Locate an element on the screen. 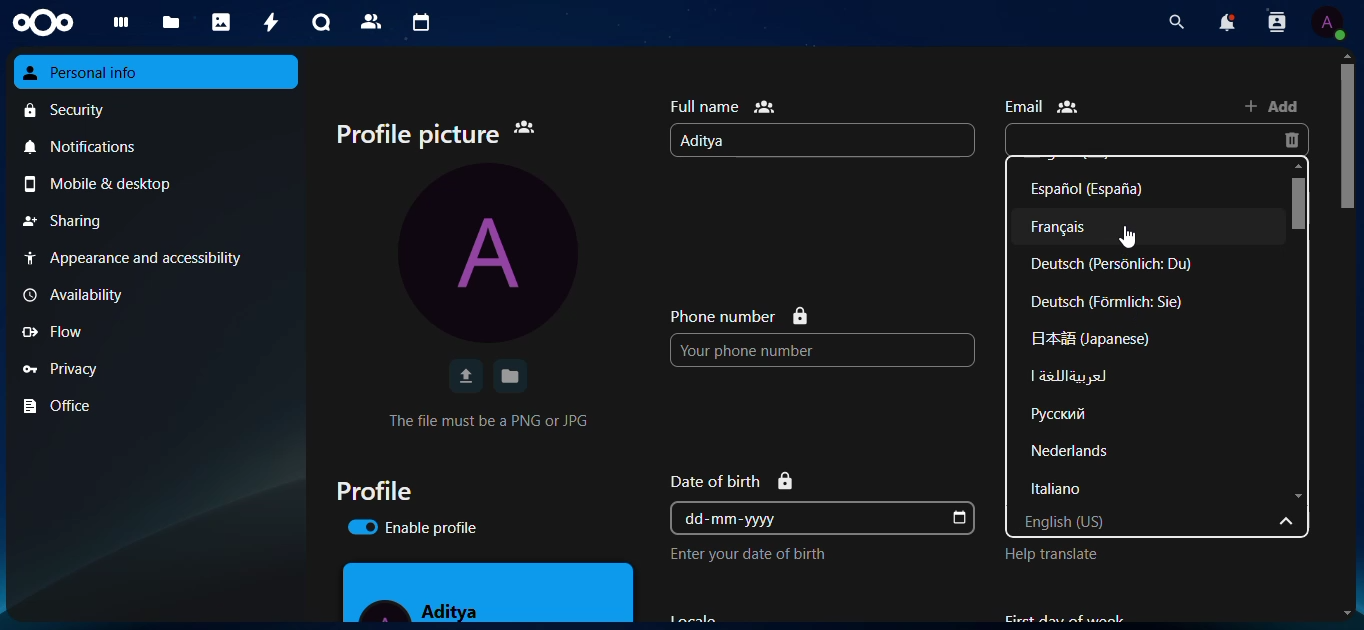  scroll bar is located at coordinates (1302, 203).